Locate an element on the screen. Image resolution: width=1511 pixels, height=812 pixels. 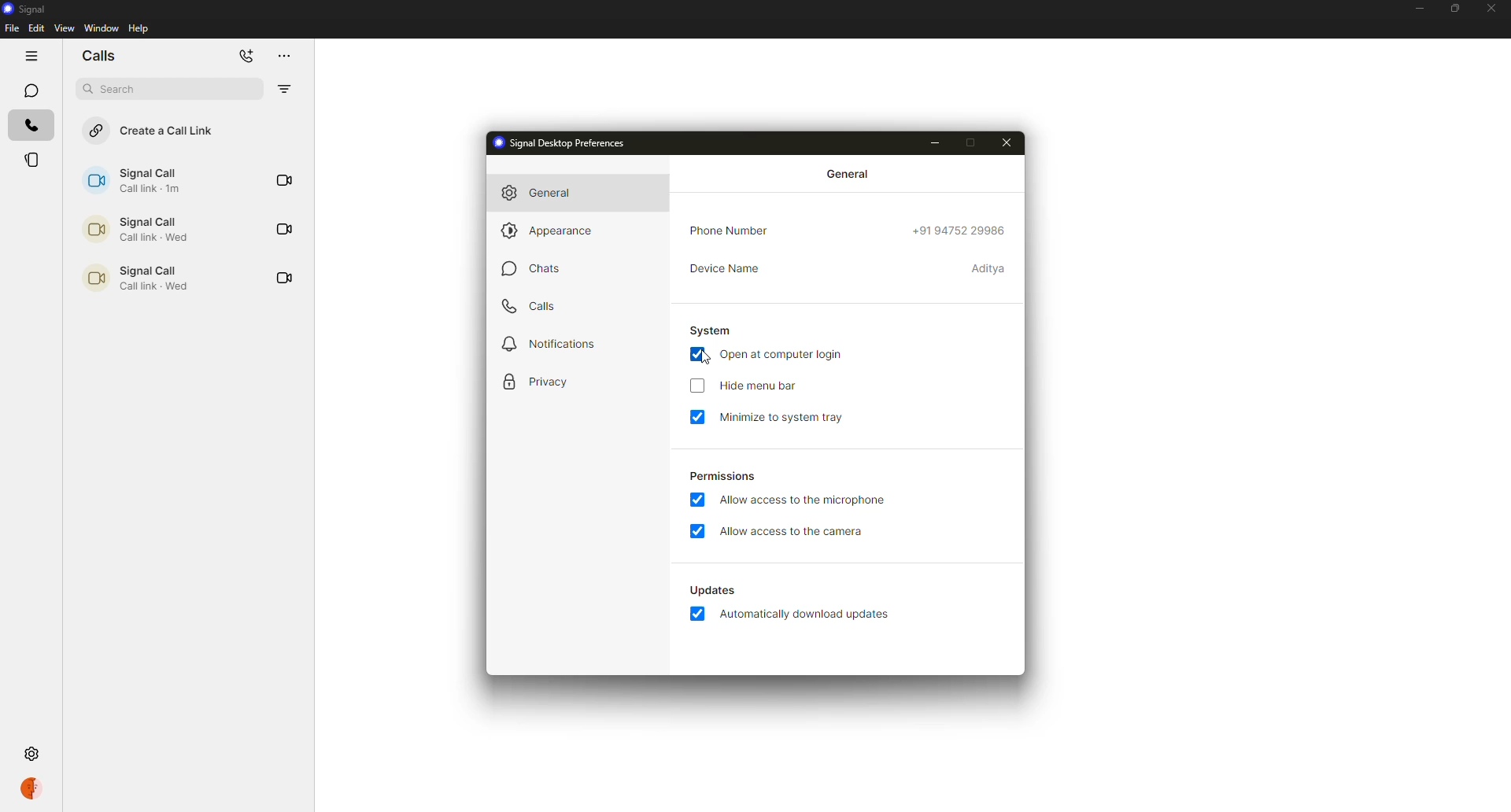
close is located at coordinates (1492, 7).